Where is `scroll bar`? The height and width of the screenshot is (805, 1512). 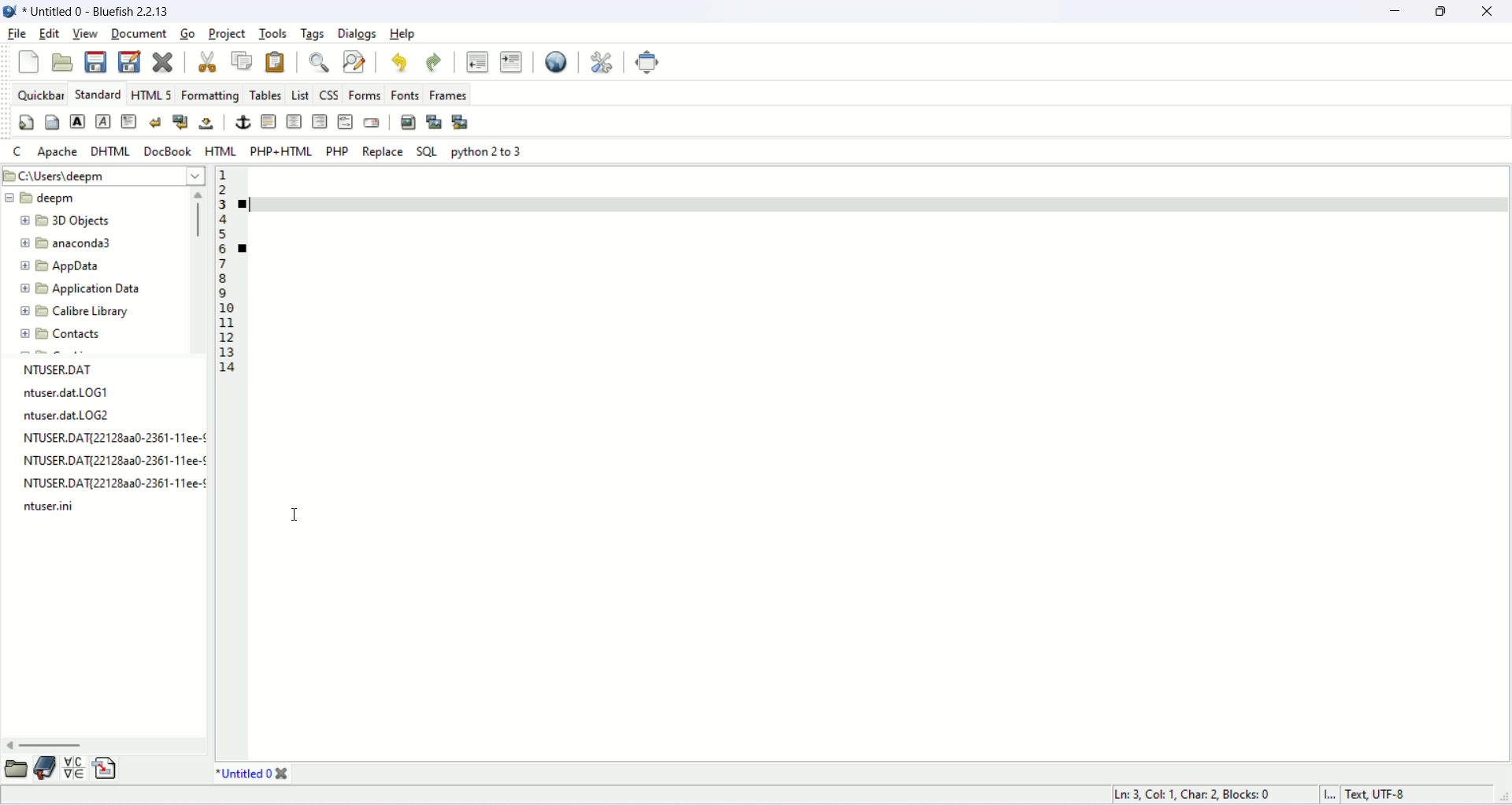 scroll bar is located at coordinates (102, 748).